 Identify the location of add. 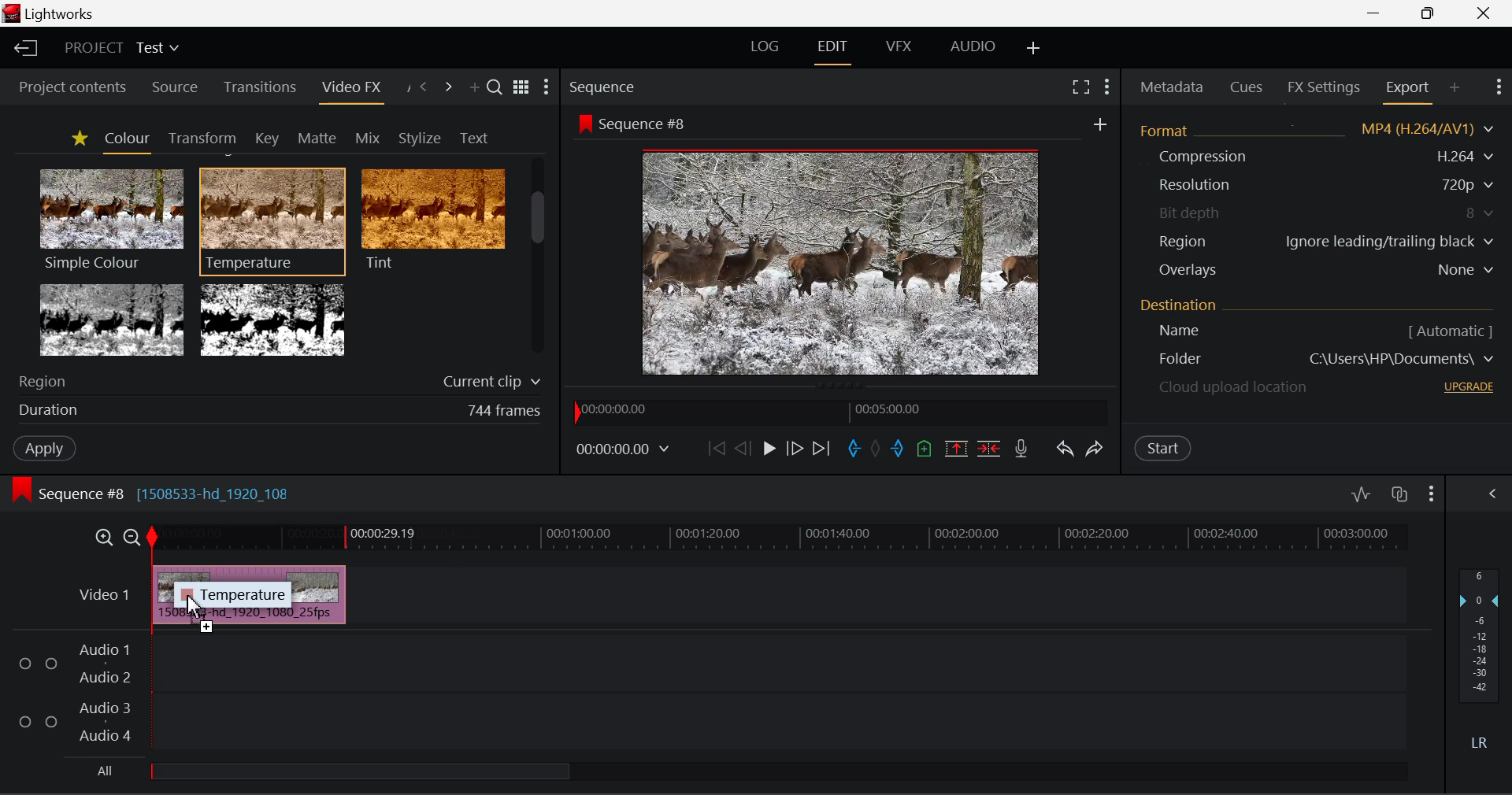
(1099, 124).